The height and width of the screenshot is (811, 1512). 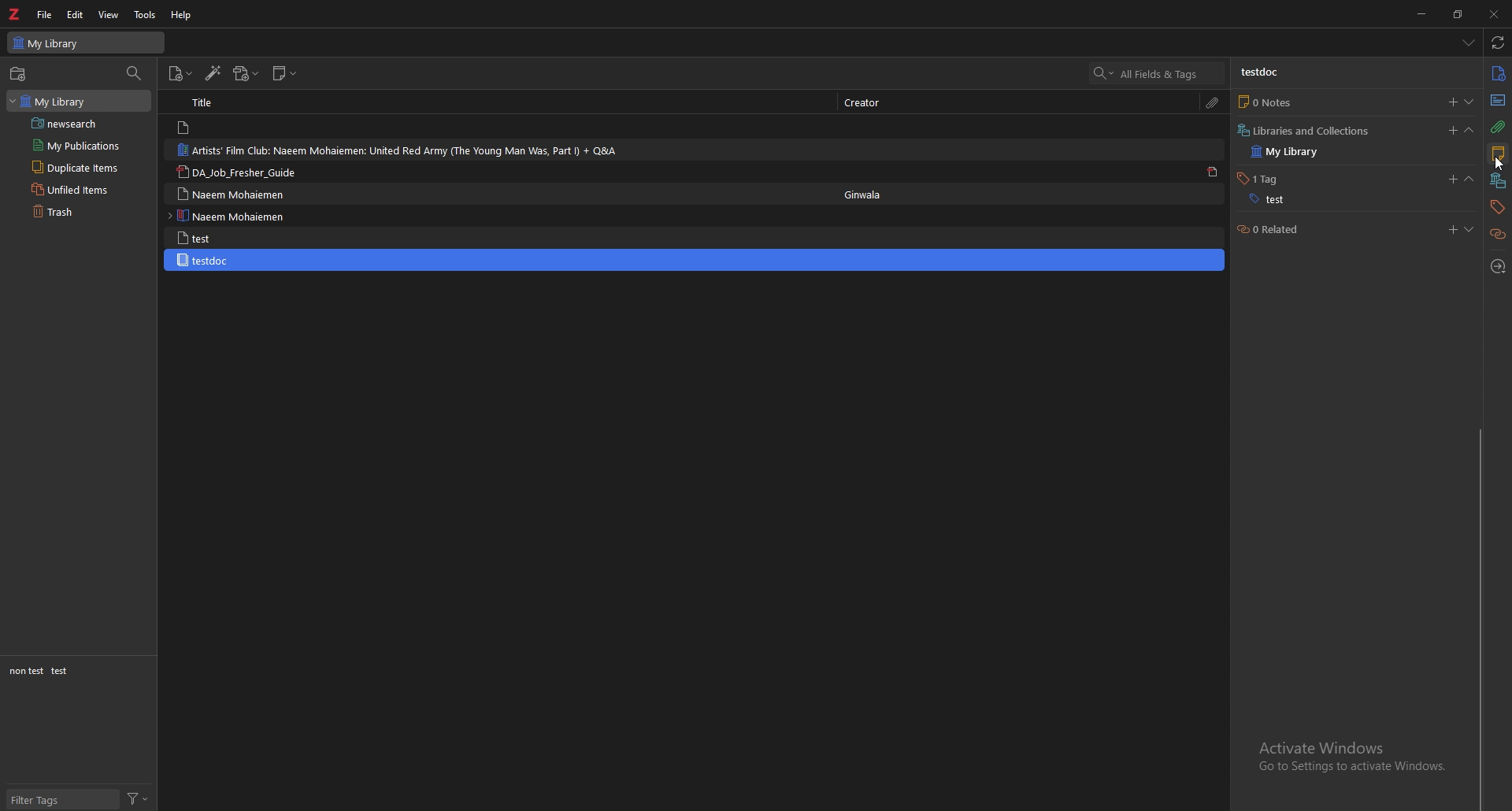 I want to click on filter collections, so click(x=135, y=73).